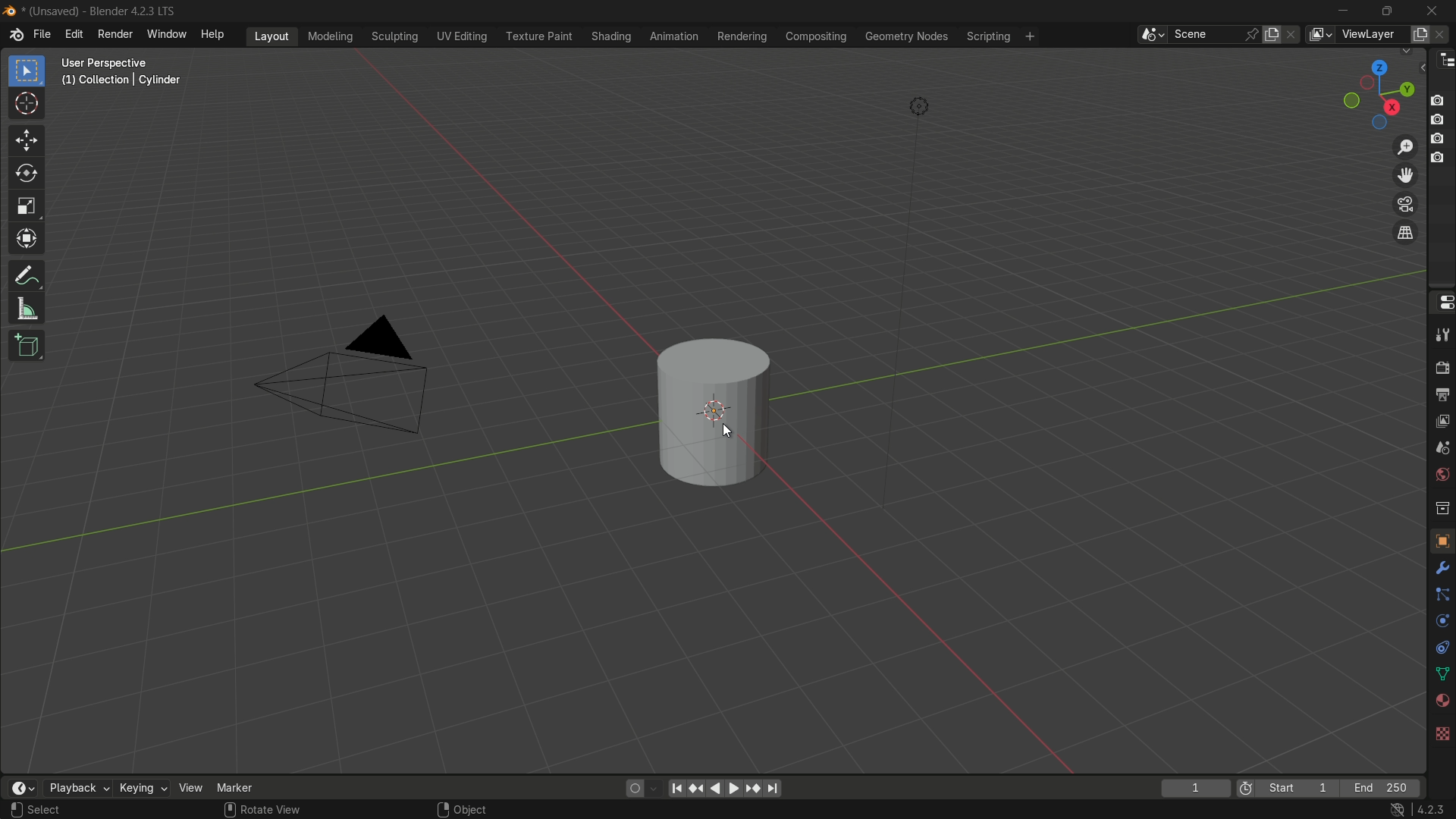 This screenshot has width=1456, height=819. I want to click on (1) Collection | Cylinder, so click(121, 81).